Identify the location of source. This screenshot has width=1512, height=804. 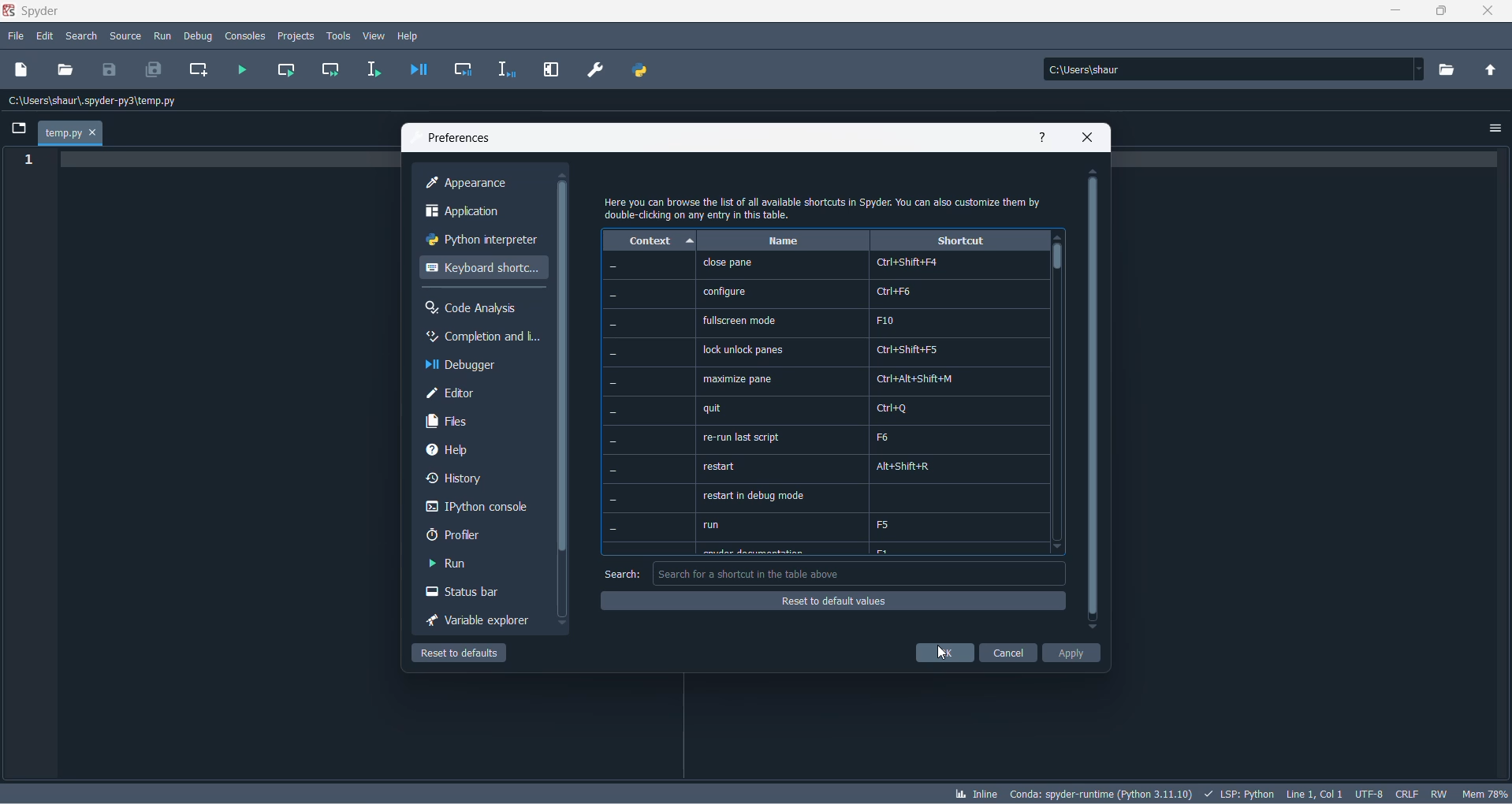
(125, 38).